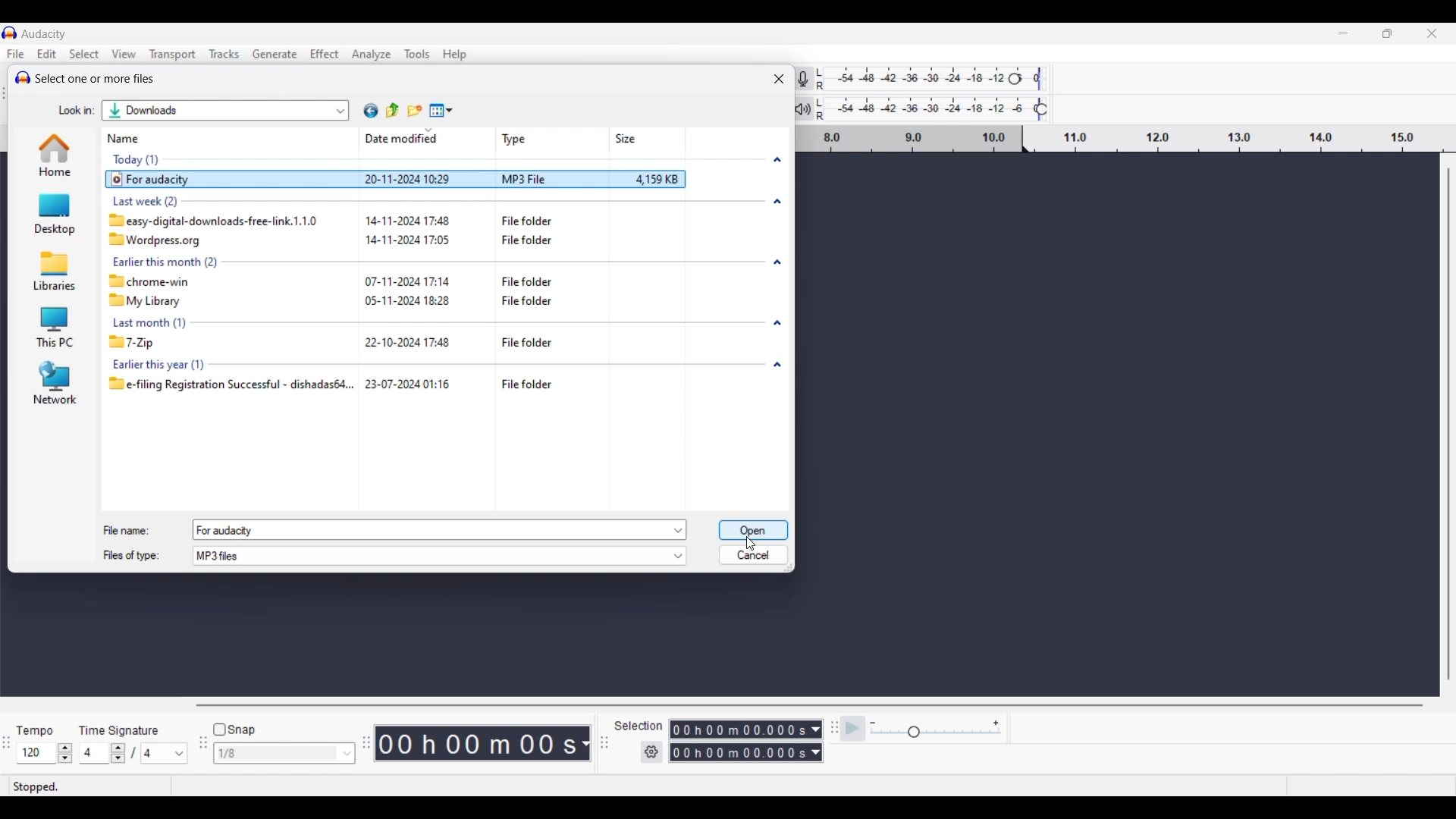 The image size is (1456, 819). Describe the element at coordinates (85, 54) in the screenshot. I see `Select menu` at that location.